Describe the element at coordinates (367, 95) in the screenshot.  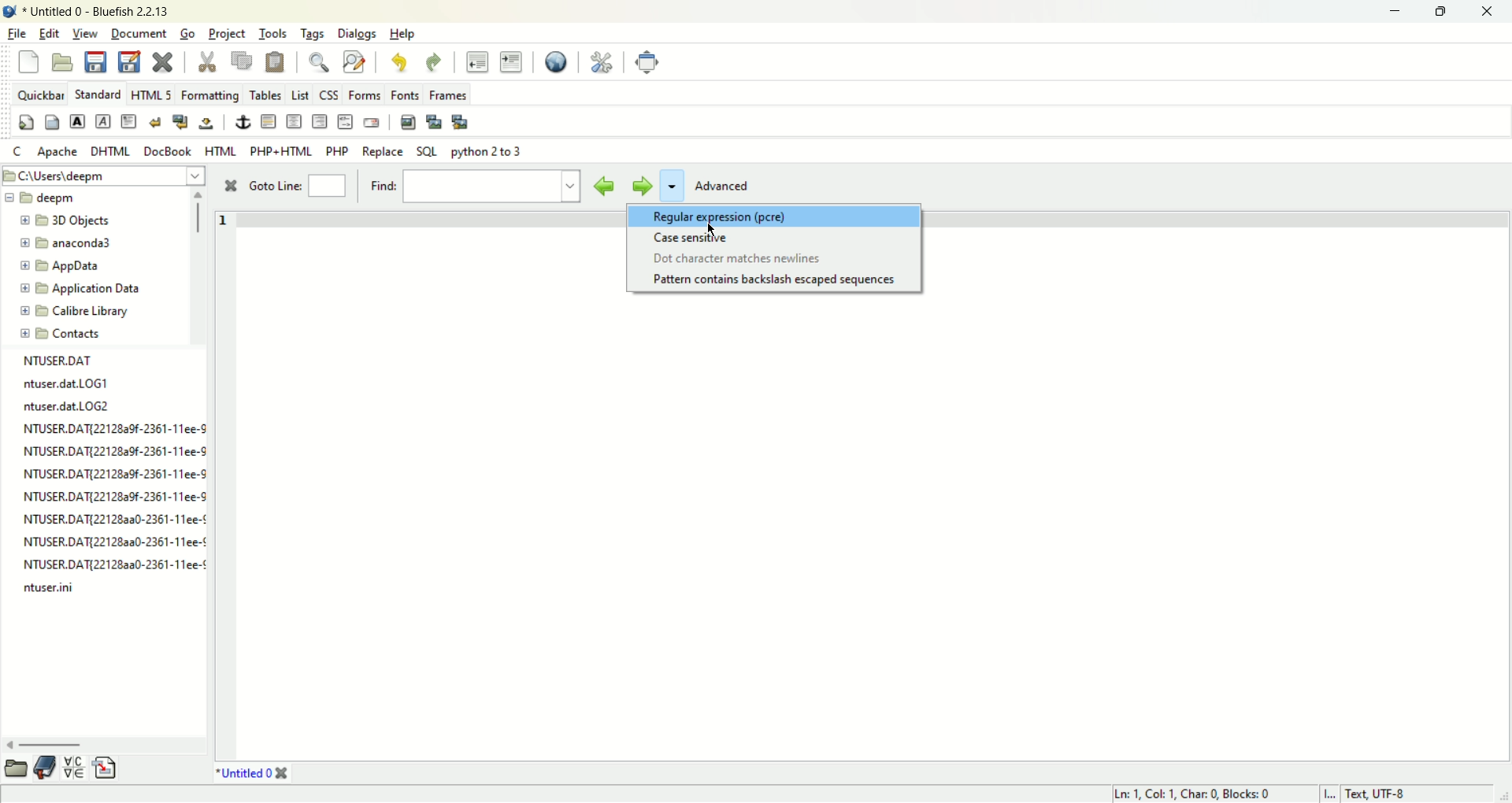
I see `forms` at that location.